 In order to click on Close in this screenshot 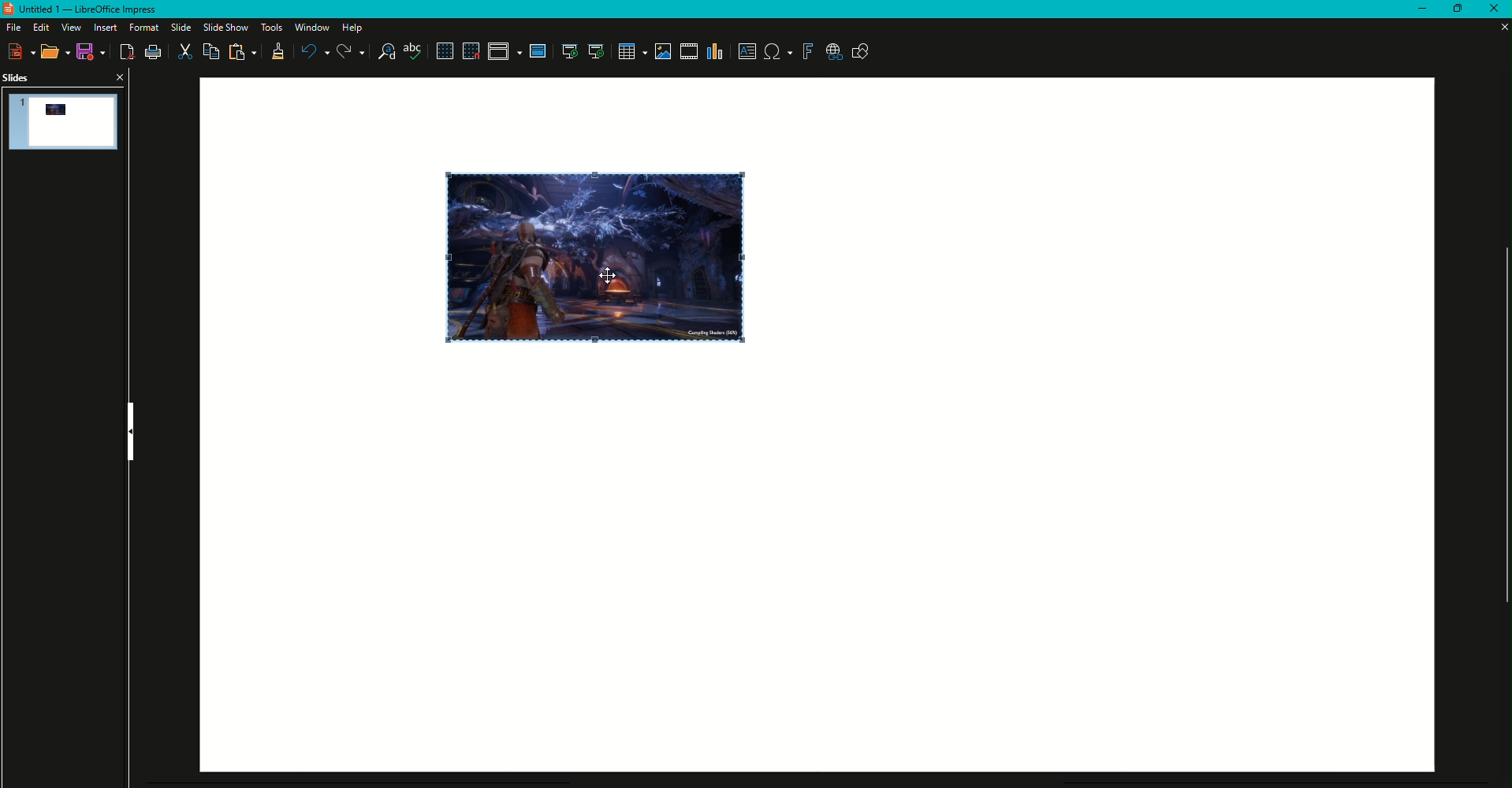, I will do `click(1492, 9)`.